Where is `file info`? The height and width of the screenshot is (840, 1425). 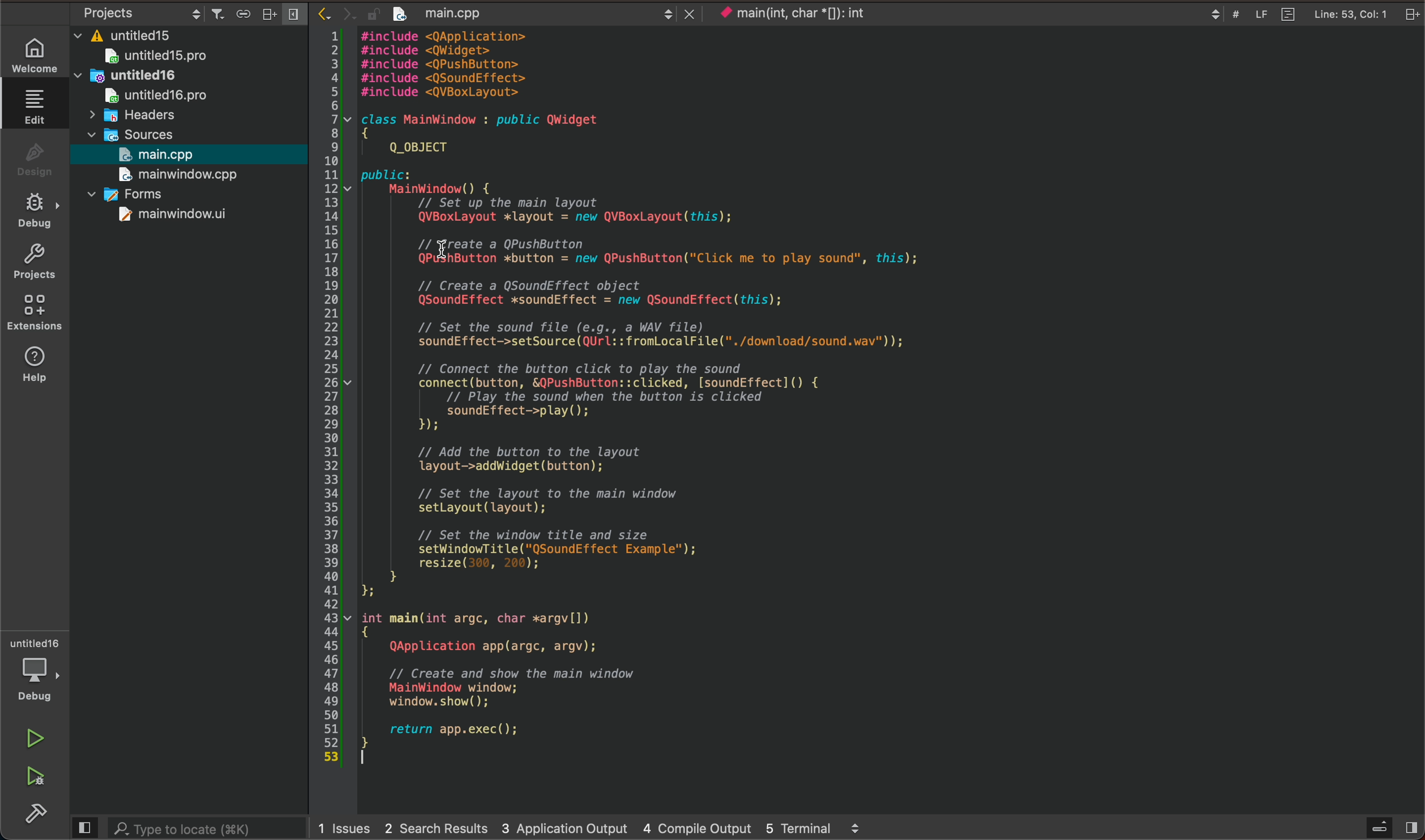
file info is located at coordinates (1295, 15).